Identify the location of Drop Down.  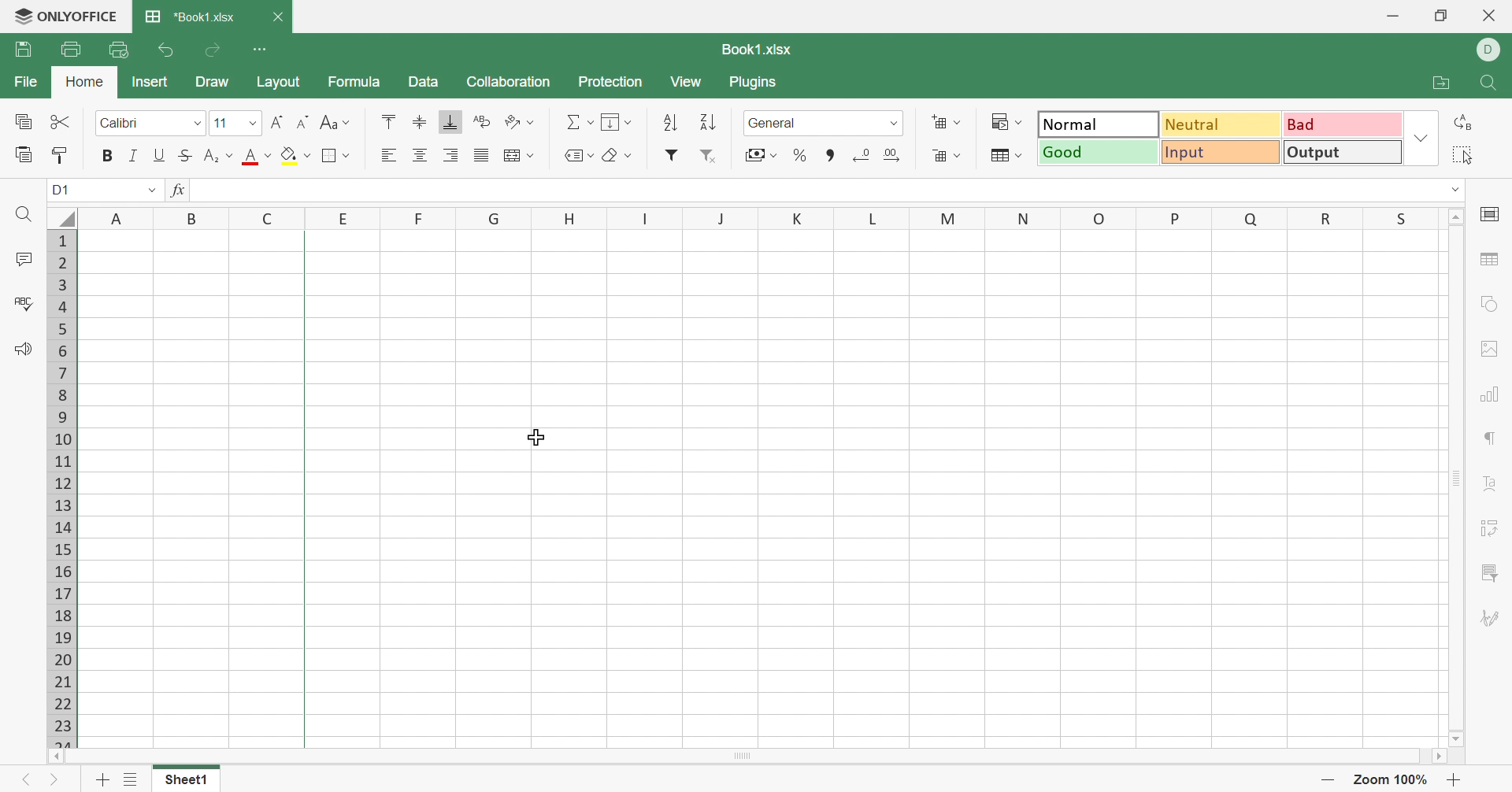
(1453, 190).